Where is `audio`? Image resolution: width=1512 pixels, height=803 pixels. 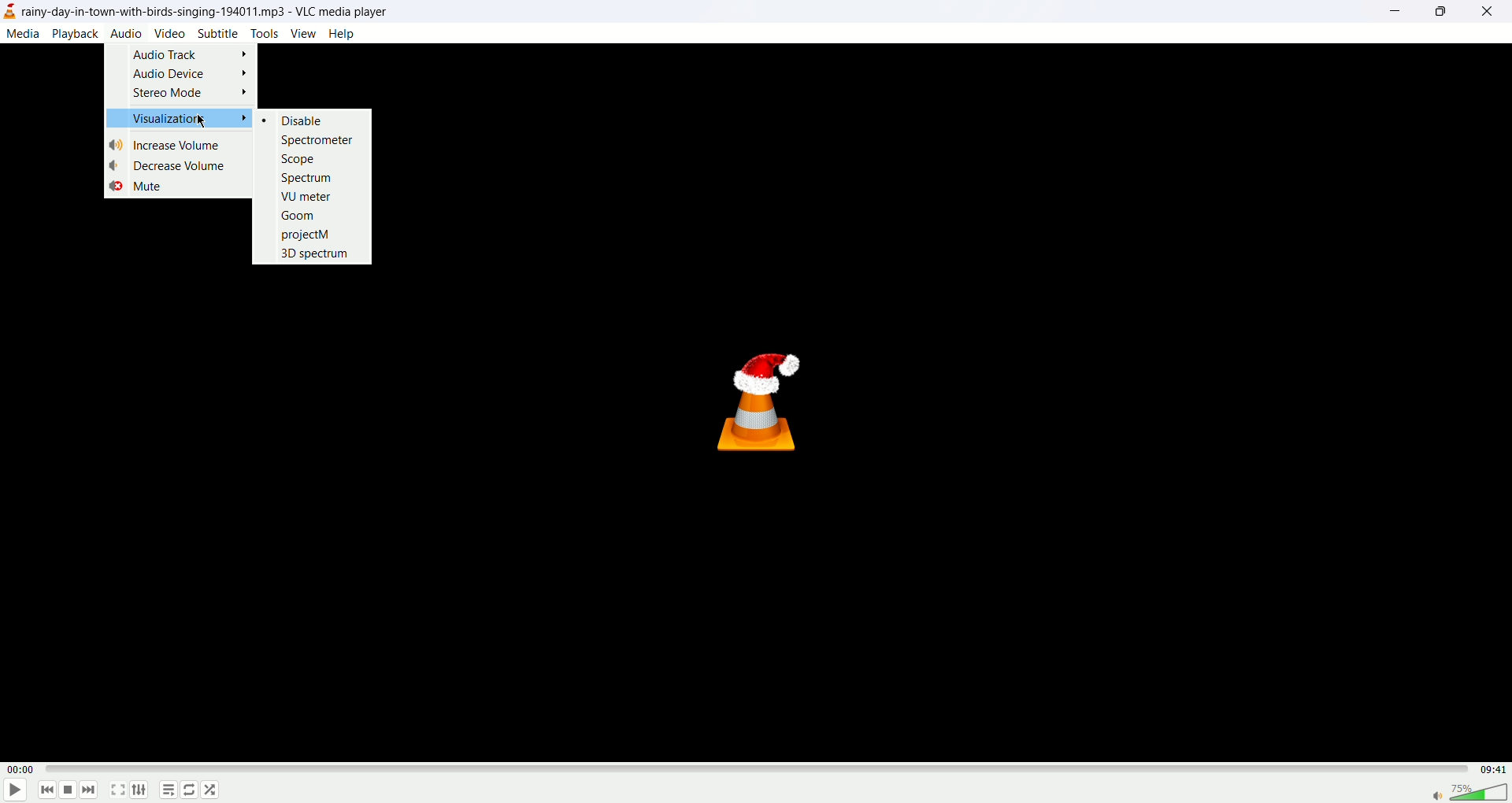
audio is located at coordinates (127, 33).